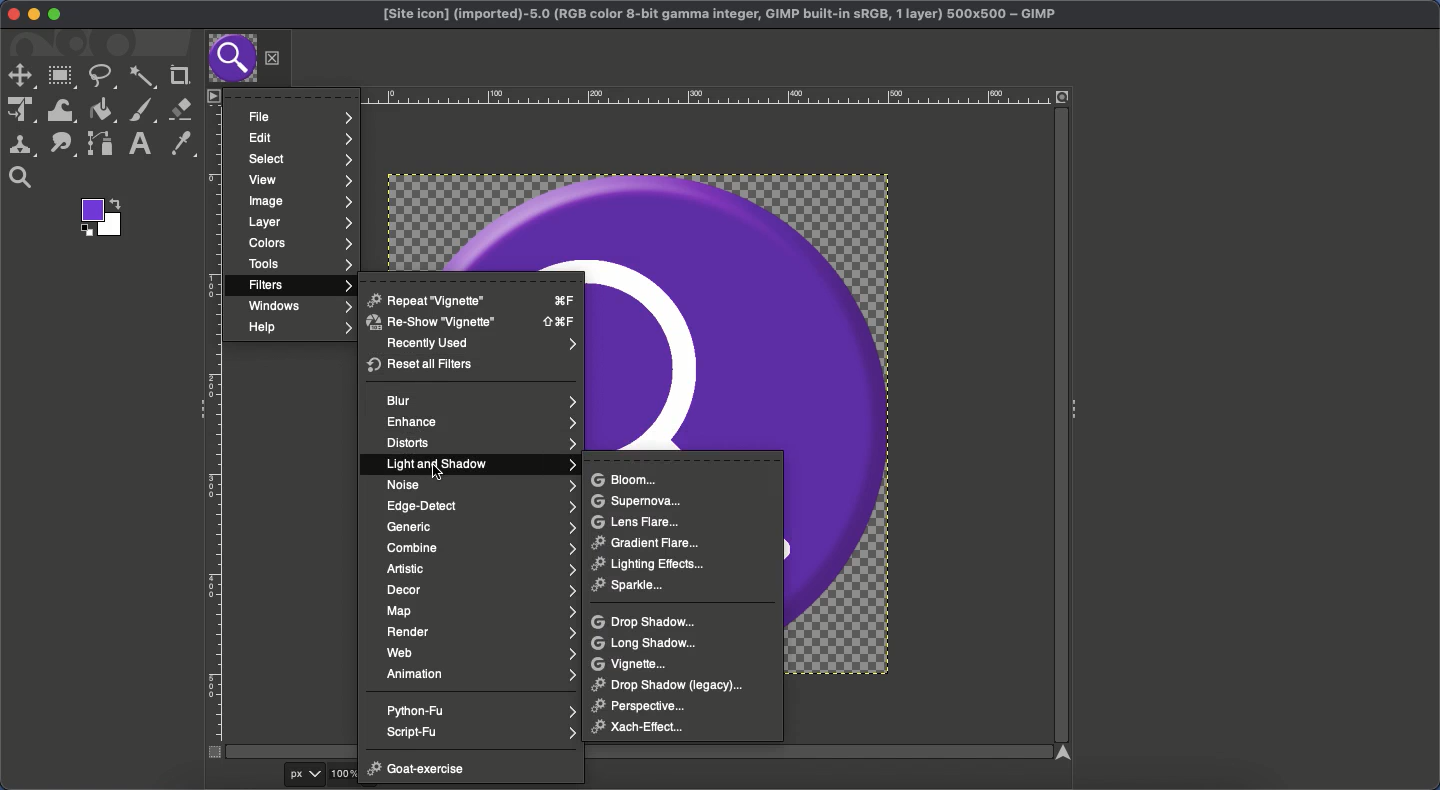 Image resolution: width=1440 pixels, height=790 pixels. Describe the element at coordinates (34, 15) in the screenshot. I see `Minimize` at that location.